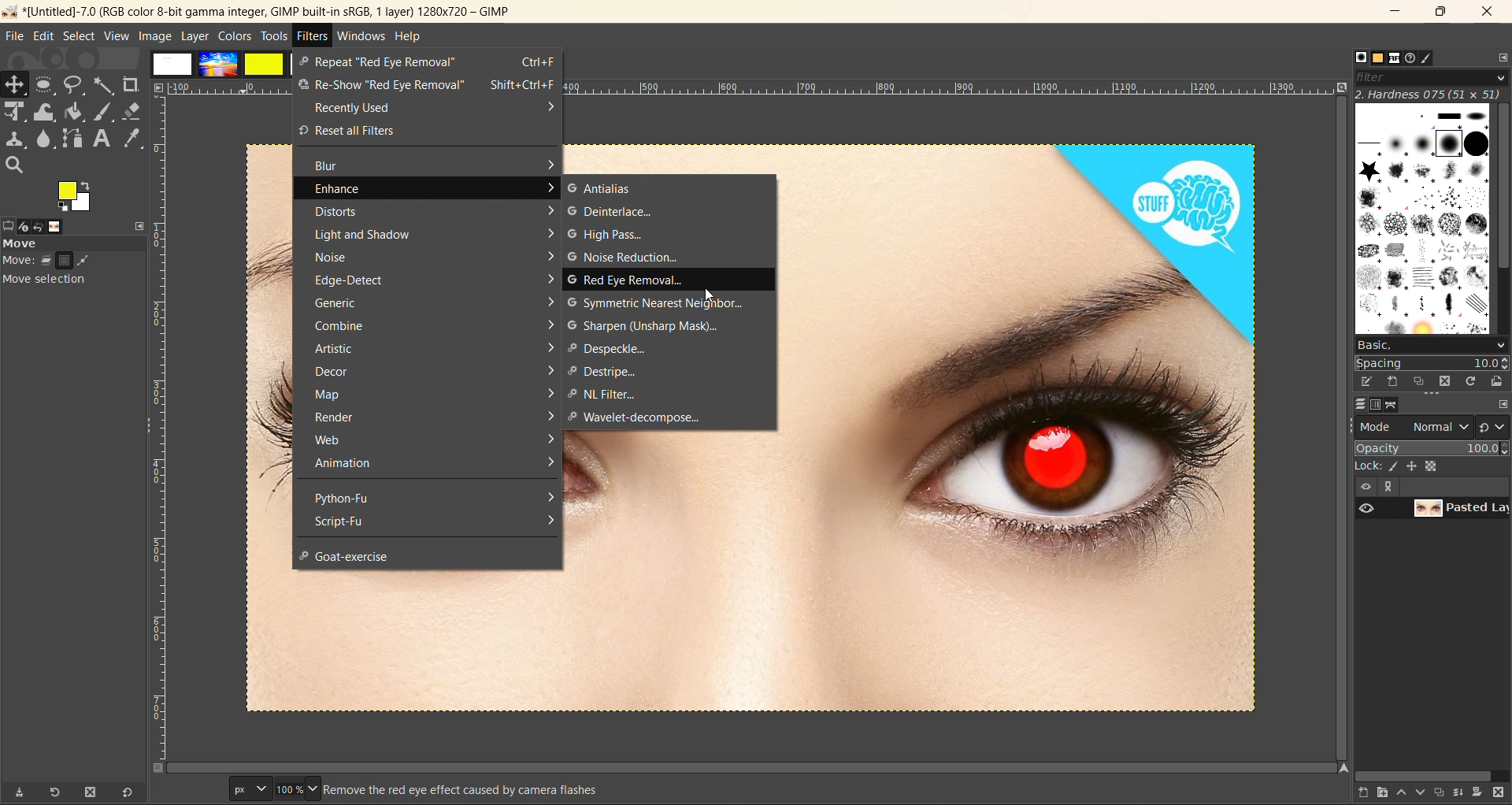 The width and height of the screenshot is (1512, 805). Describe the element at coordinates (426, 393) in the screenshot. I see `map` at that location.